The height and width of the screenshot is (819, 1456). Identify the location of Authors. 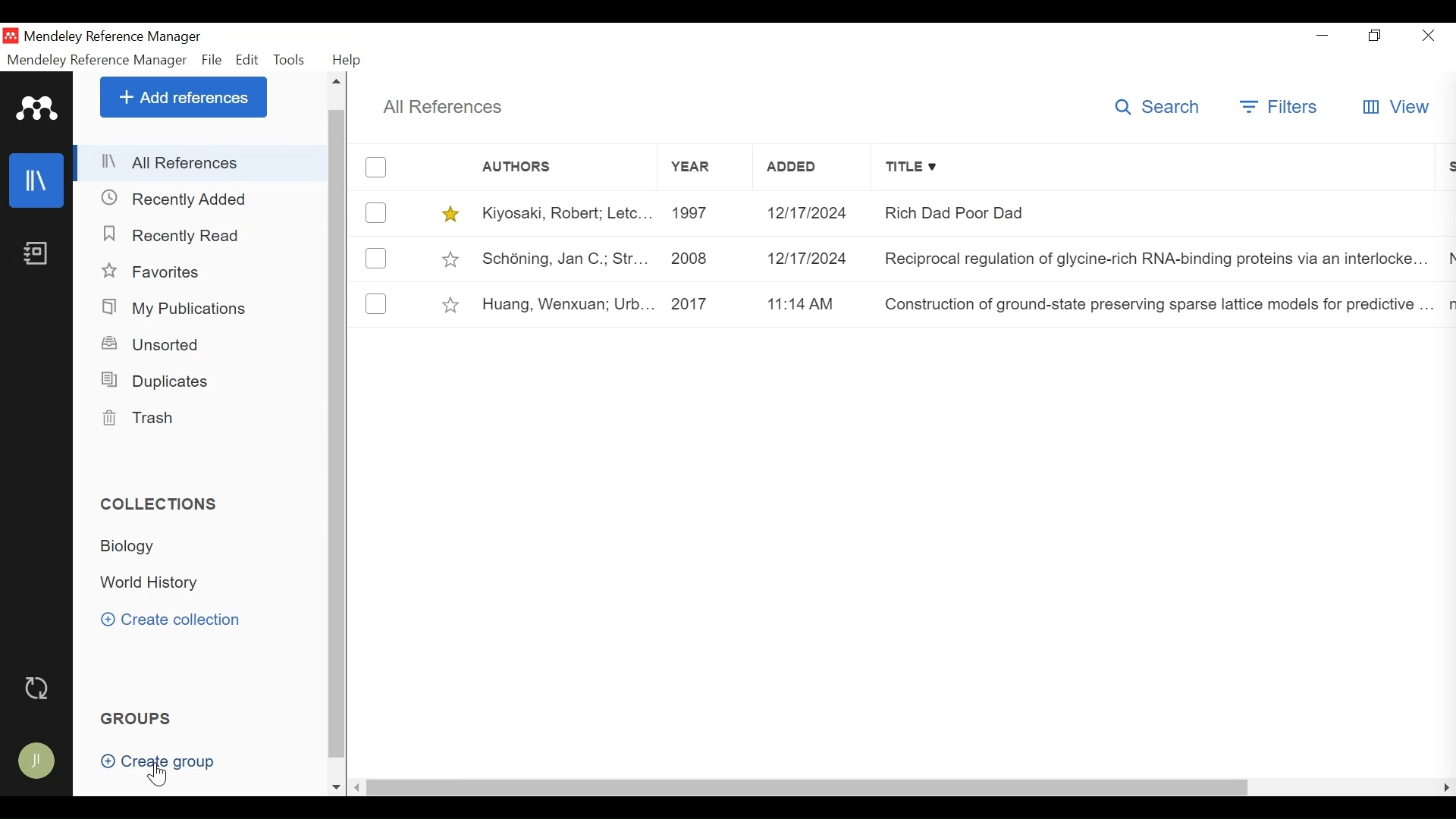
(547, 168).